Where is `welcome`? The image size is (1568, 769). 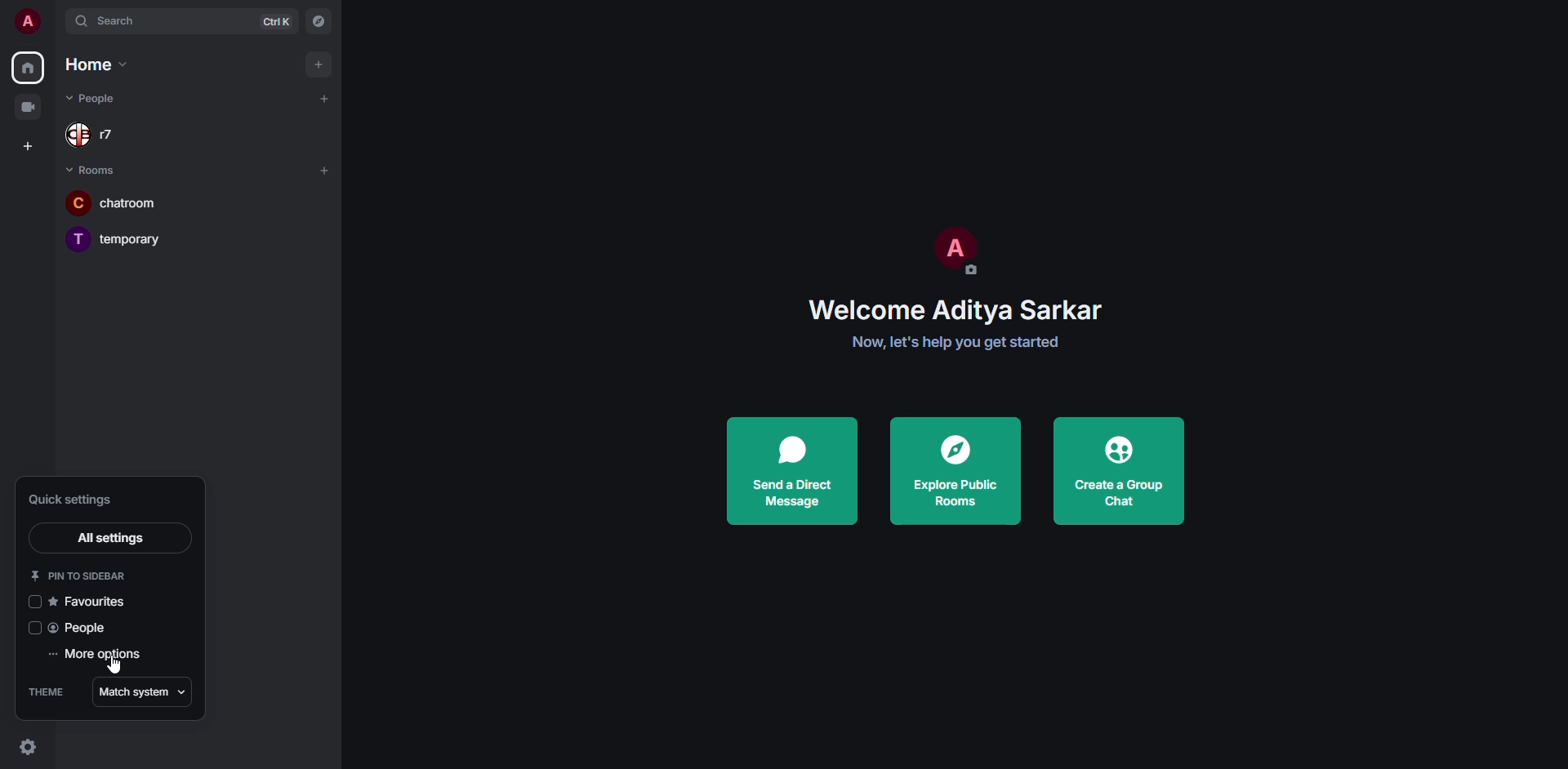 welcome is located at coordinates (954, 311).